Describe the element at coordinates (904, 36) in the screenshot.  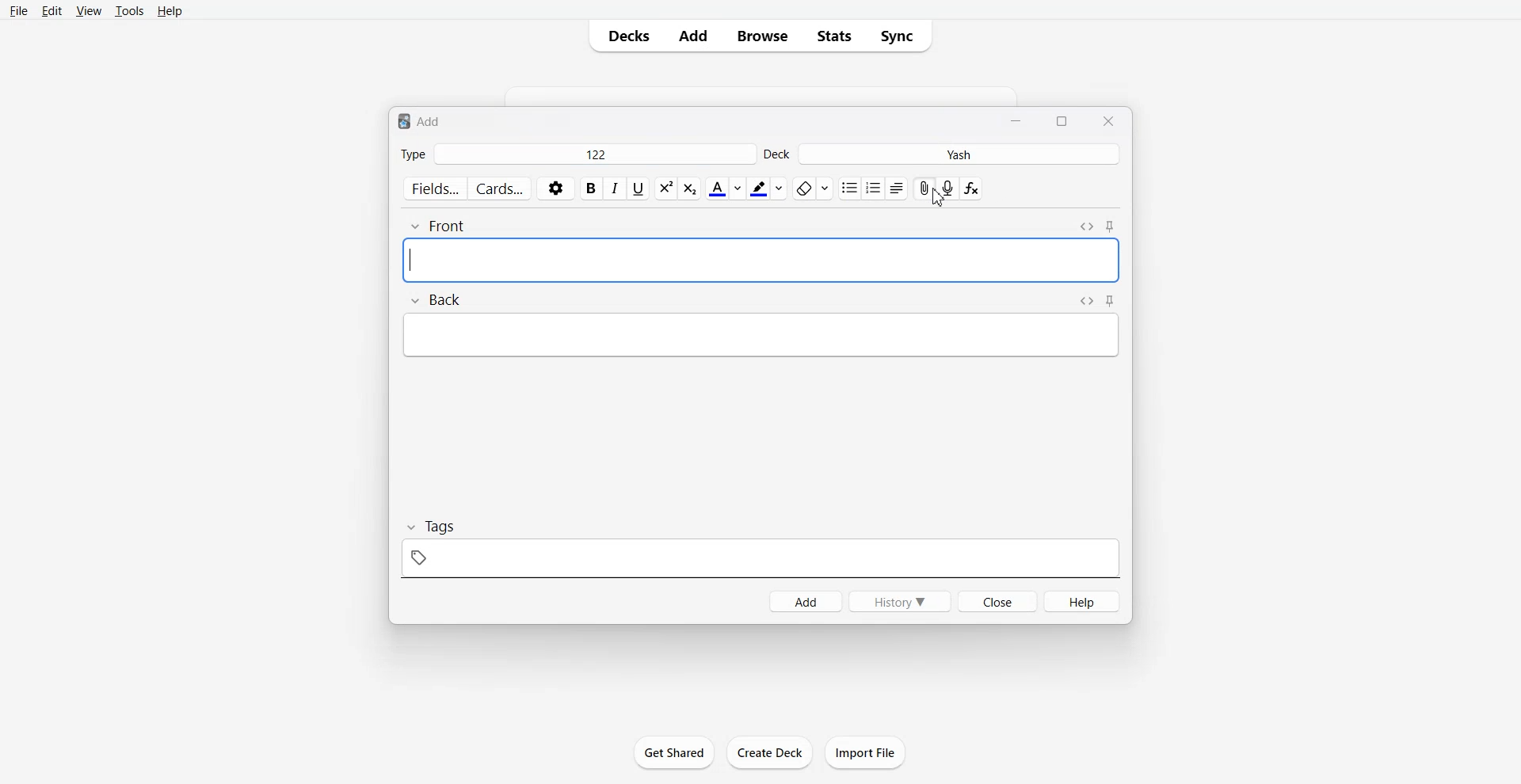
I see `Sync` at that location.